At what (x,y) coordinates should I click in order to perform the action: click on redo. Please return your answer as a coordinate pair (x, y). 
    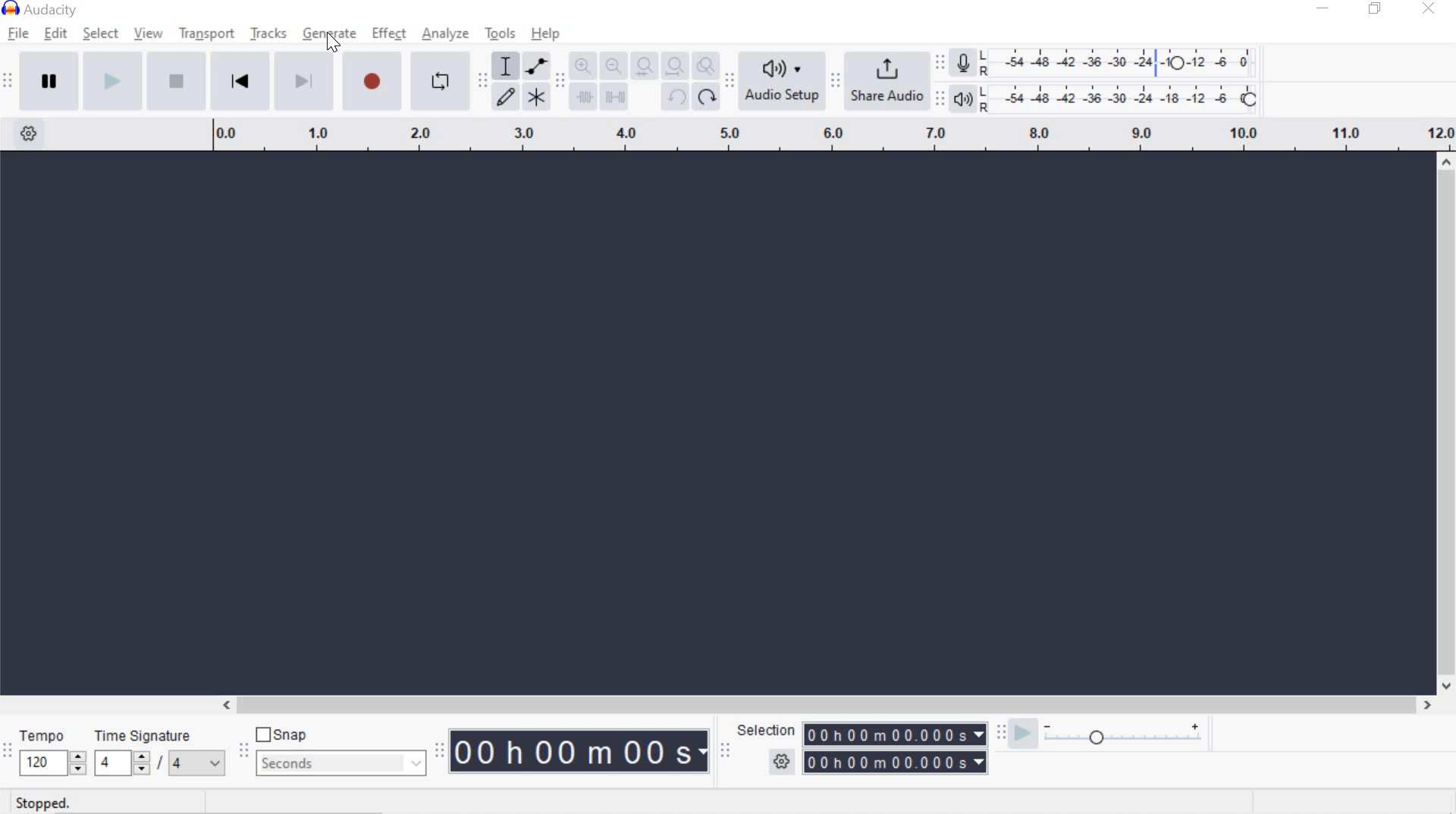
    Looking at the image, I should click on (706, 96).